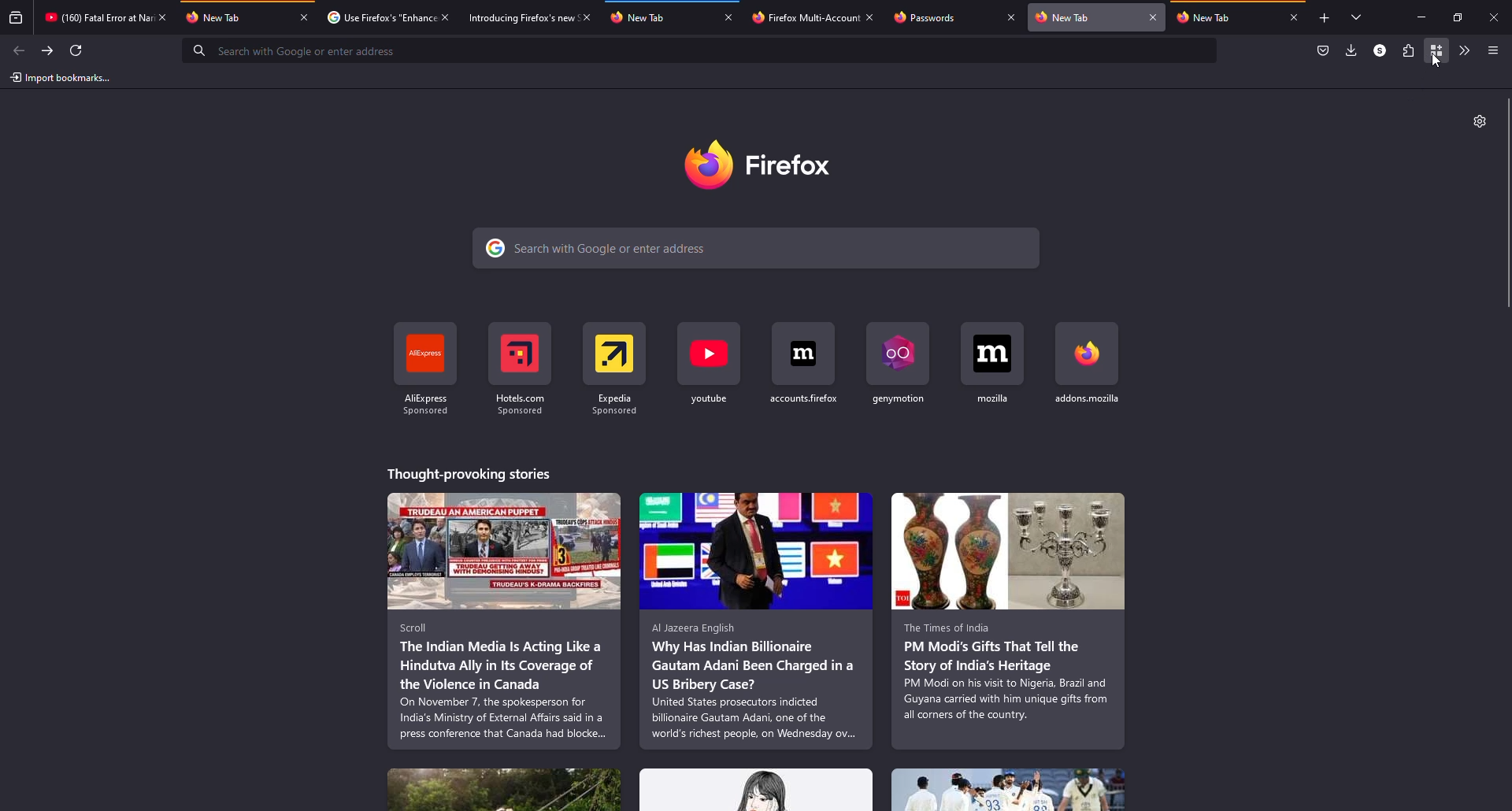 The width and height of the screenshot is (1512, 811). I want to click on shortcut, so click(521, 367).